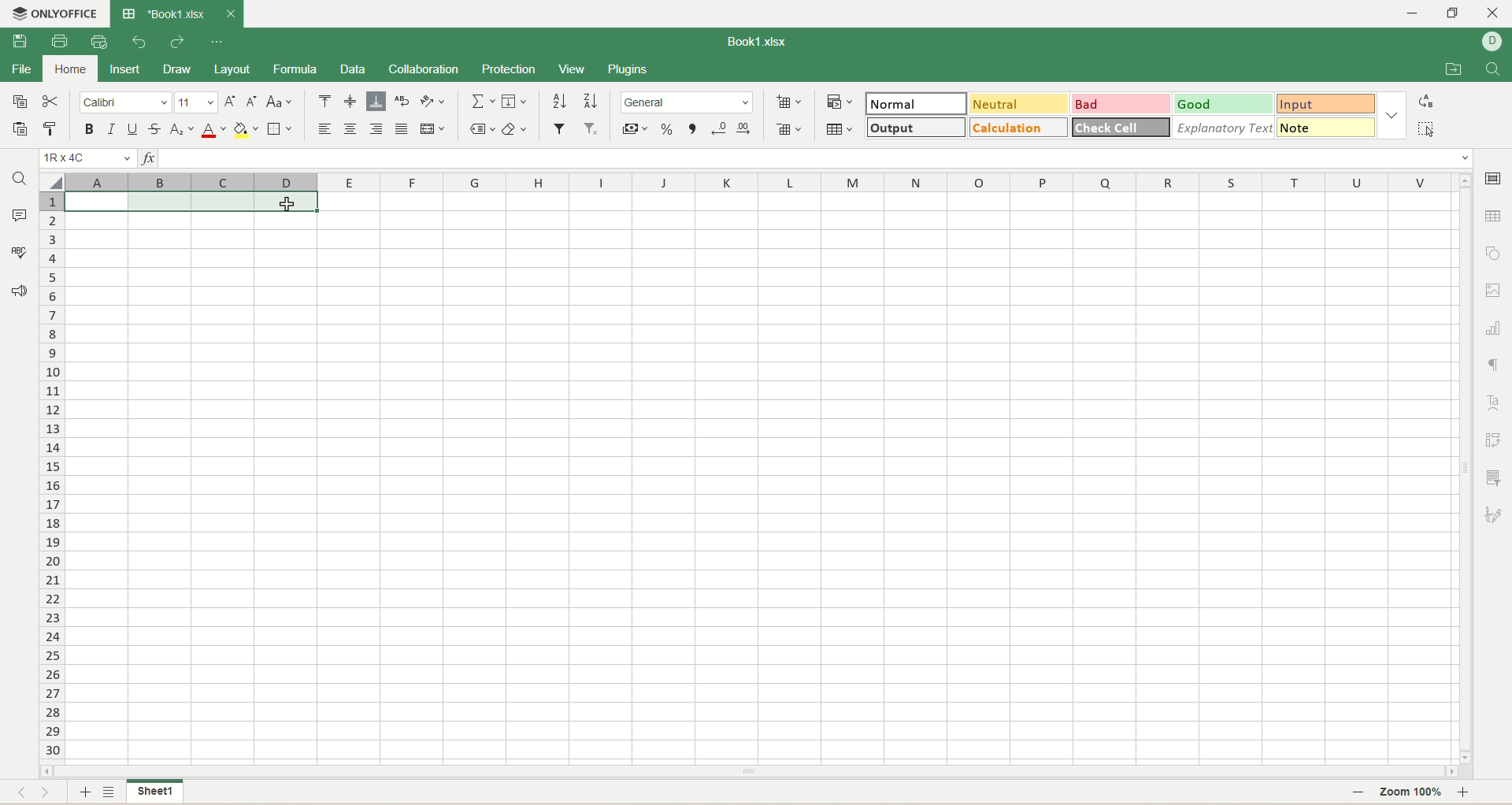 The height and width of the screenshot is (805, 1512). Describe the element at coordinates (589, 102) in the screenshot. I see `sort descending` at that location.